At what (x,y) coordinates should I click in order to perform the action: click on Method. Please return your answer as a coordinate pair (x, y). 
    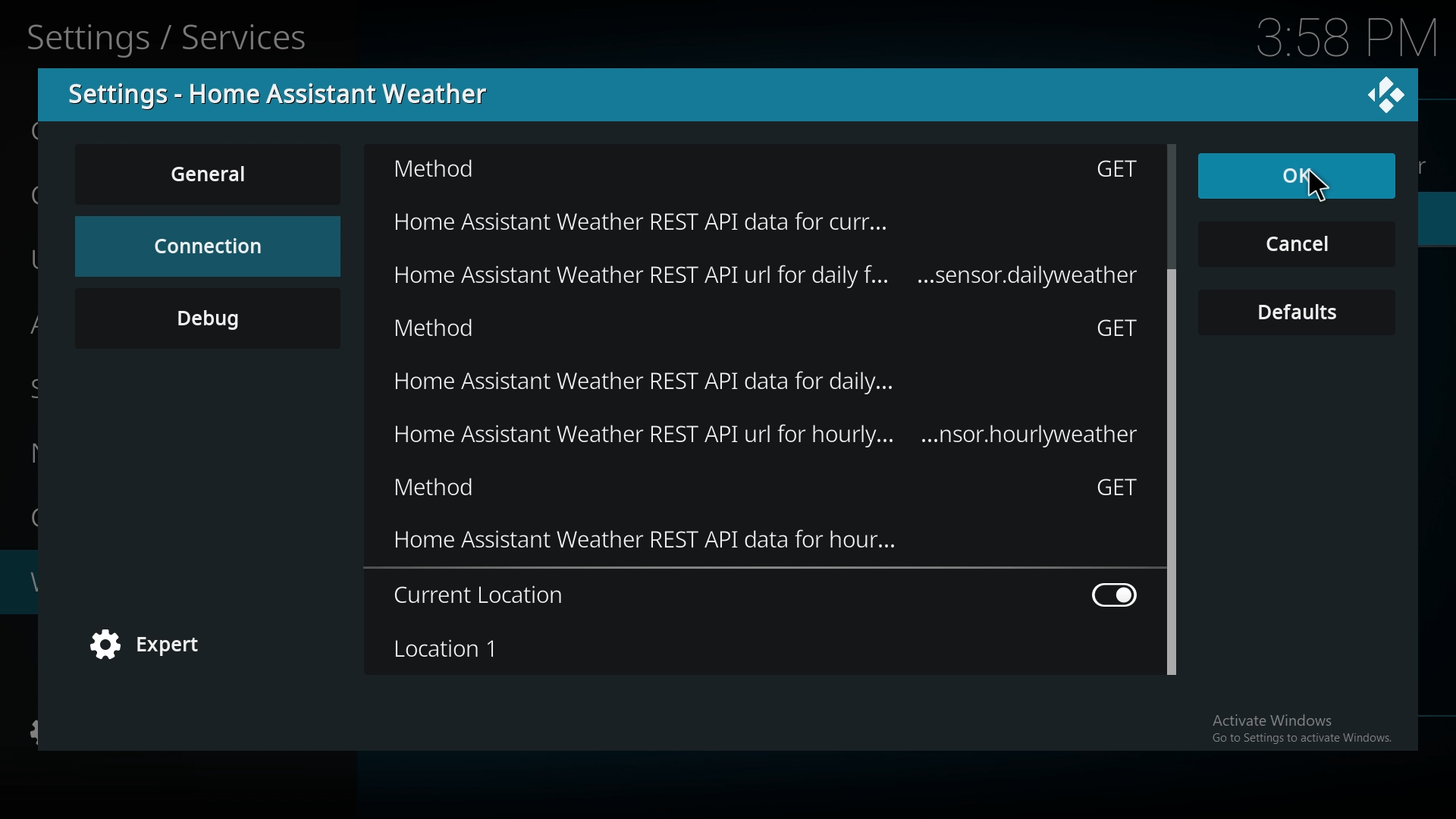
    Looking at the image, I should click on (761, 172).